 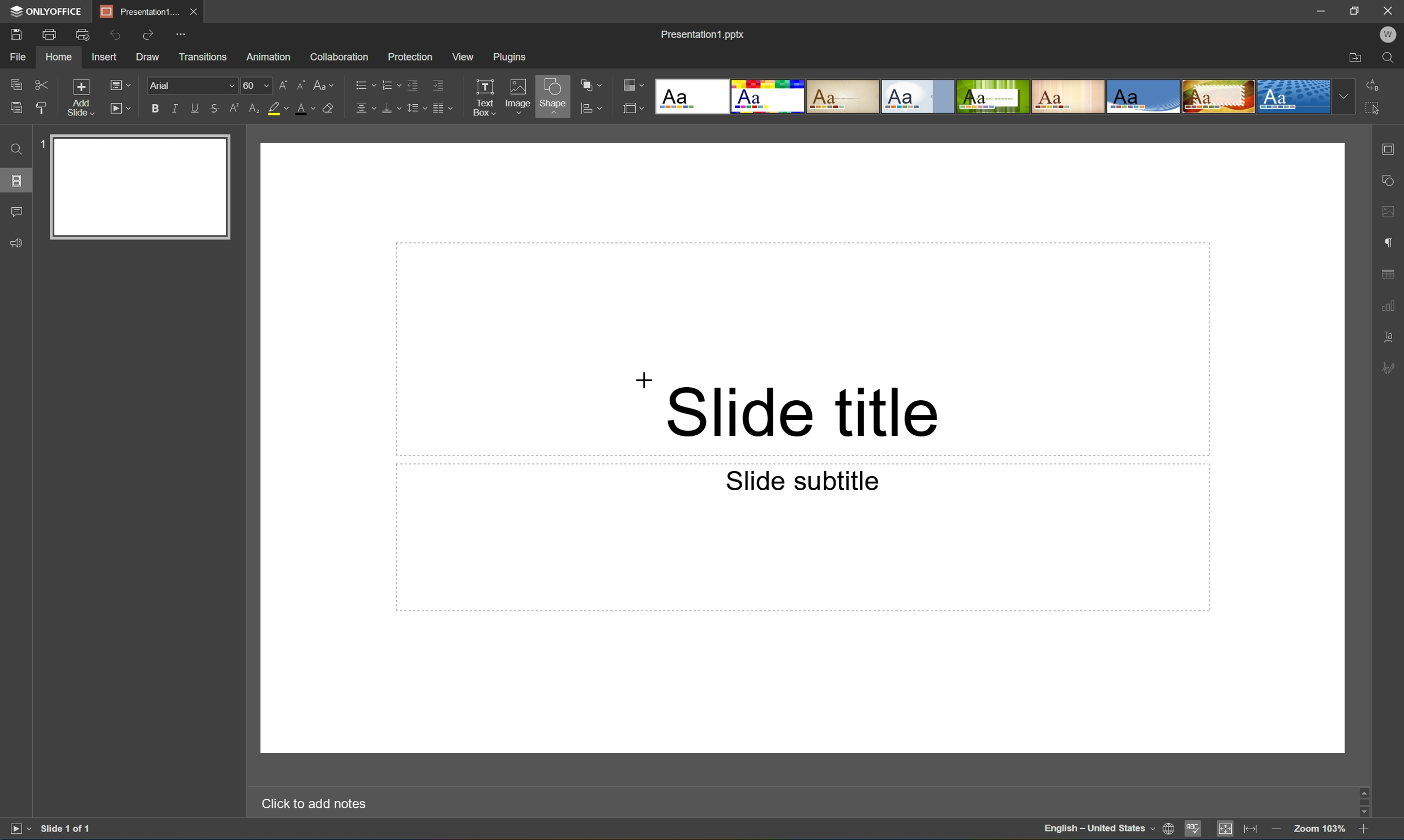 What do you see at coordinates (48, 12) in the screenshot?
I see `ONLYOFFICE` at bounding box center [48, 12].